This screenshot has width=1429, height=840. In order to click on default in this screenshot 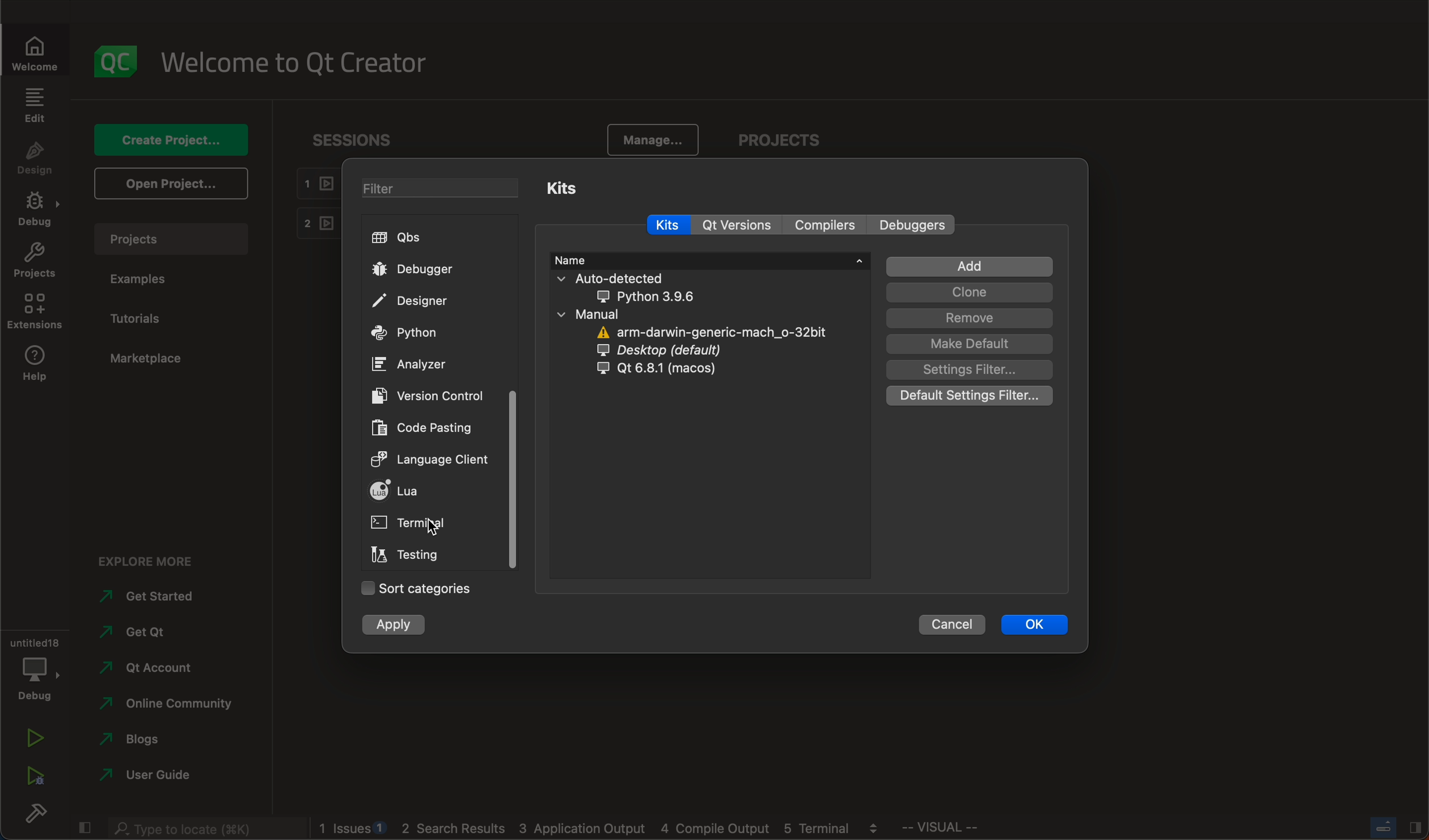, I will do `click(969, 393)`.